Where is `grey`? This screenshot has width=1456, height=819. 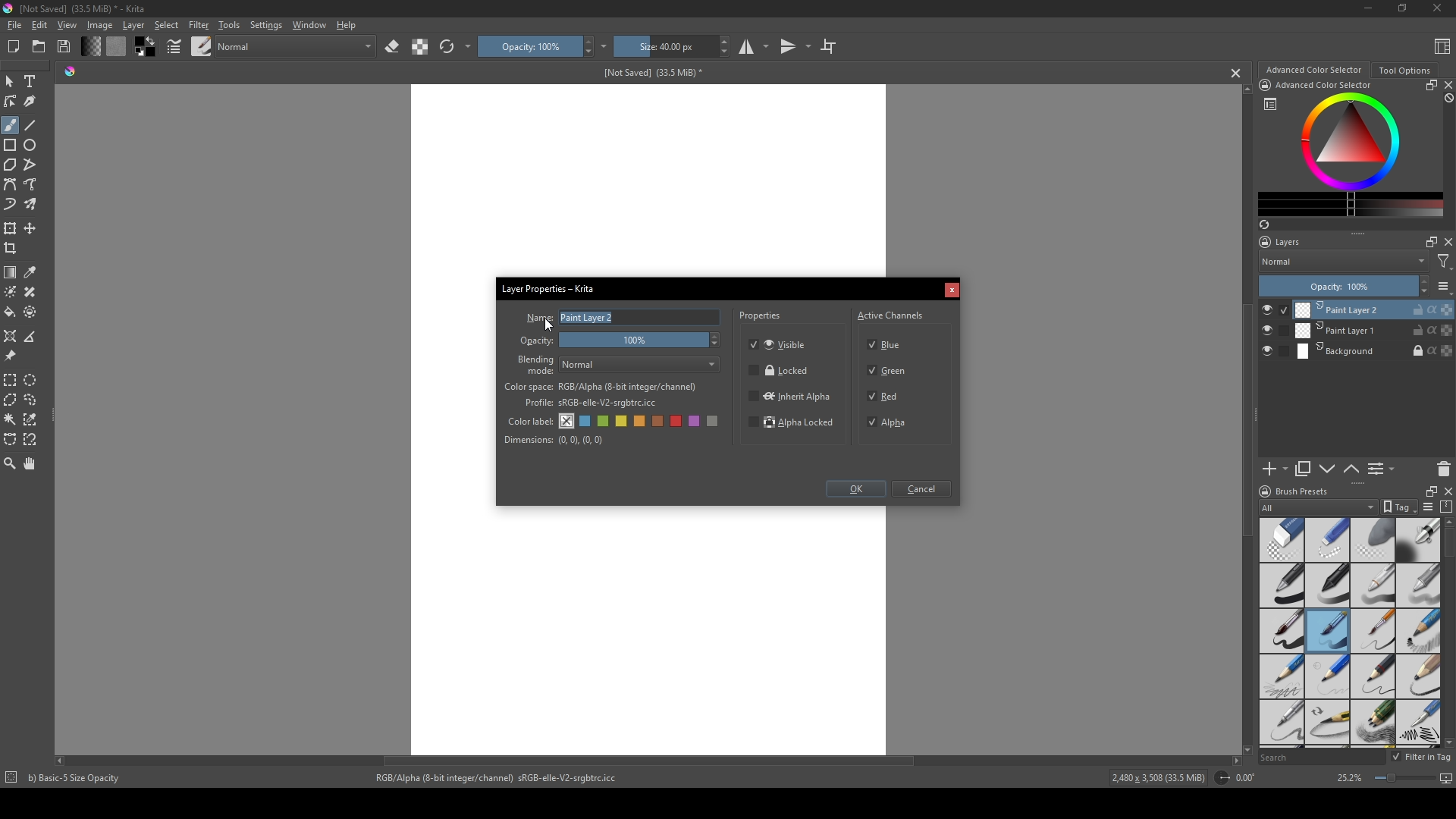 grey is located at coordinates (715, 422).